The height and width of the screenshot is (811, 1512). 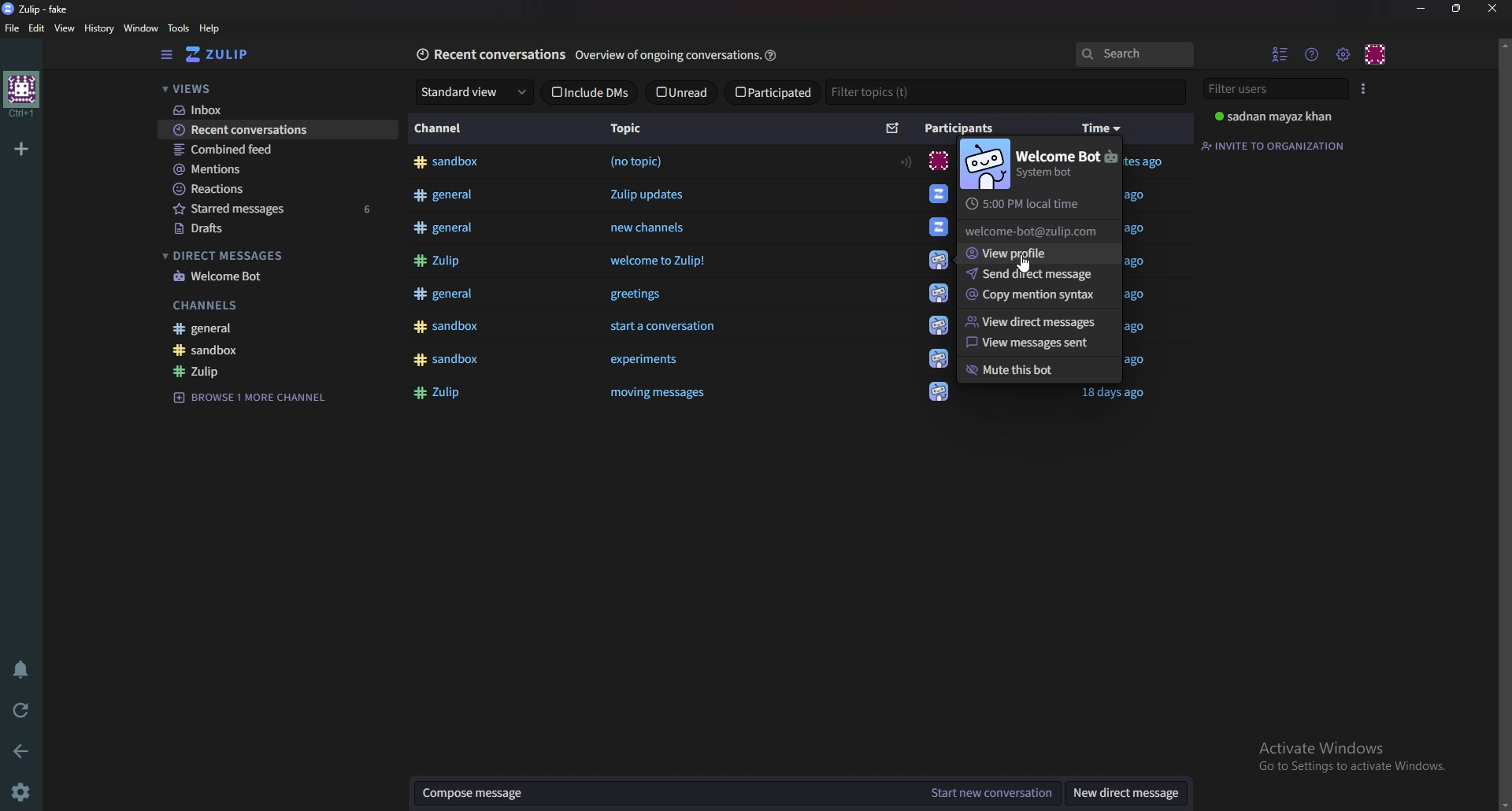 What do you see at coordinates (644, 361) in the screenshot?
I see `experiments` at bounding box center [644, 361].